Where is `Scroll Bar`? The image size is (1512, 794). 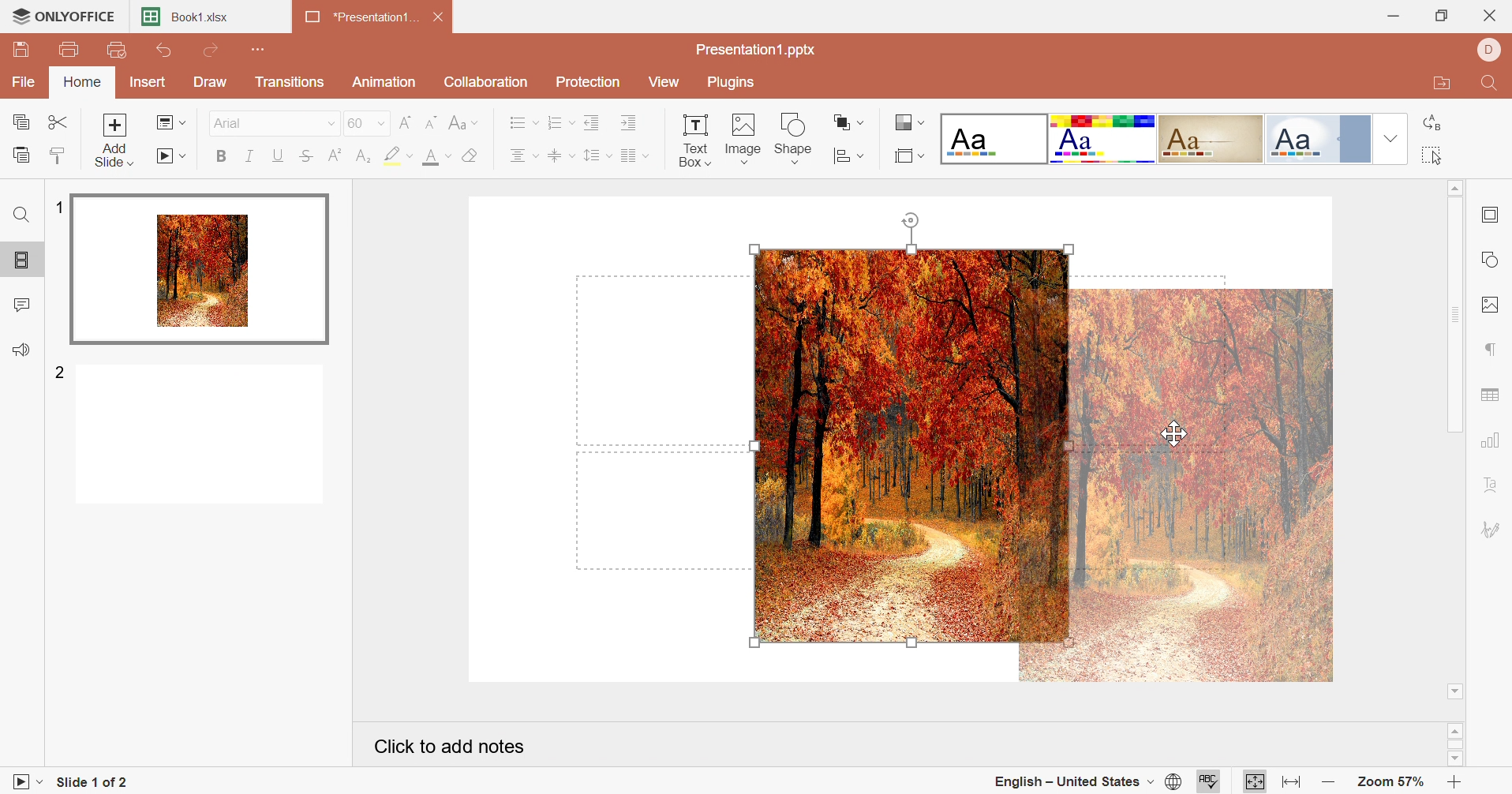 Scroll Bar is located at coordinates (1456, 744).